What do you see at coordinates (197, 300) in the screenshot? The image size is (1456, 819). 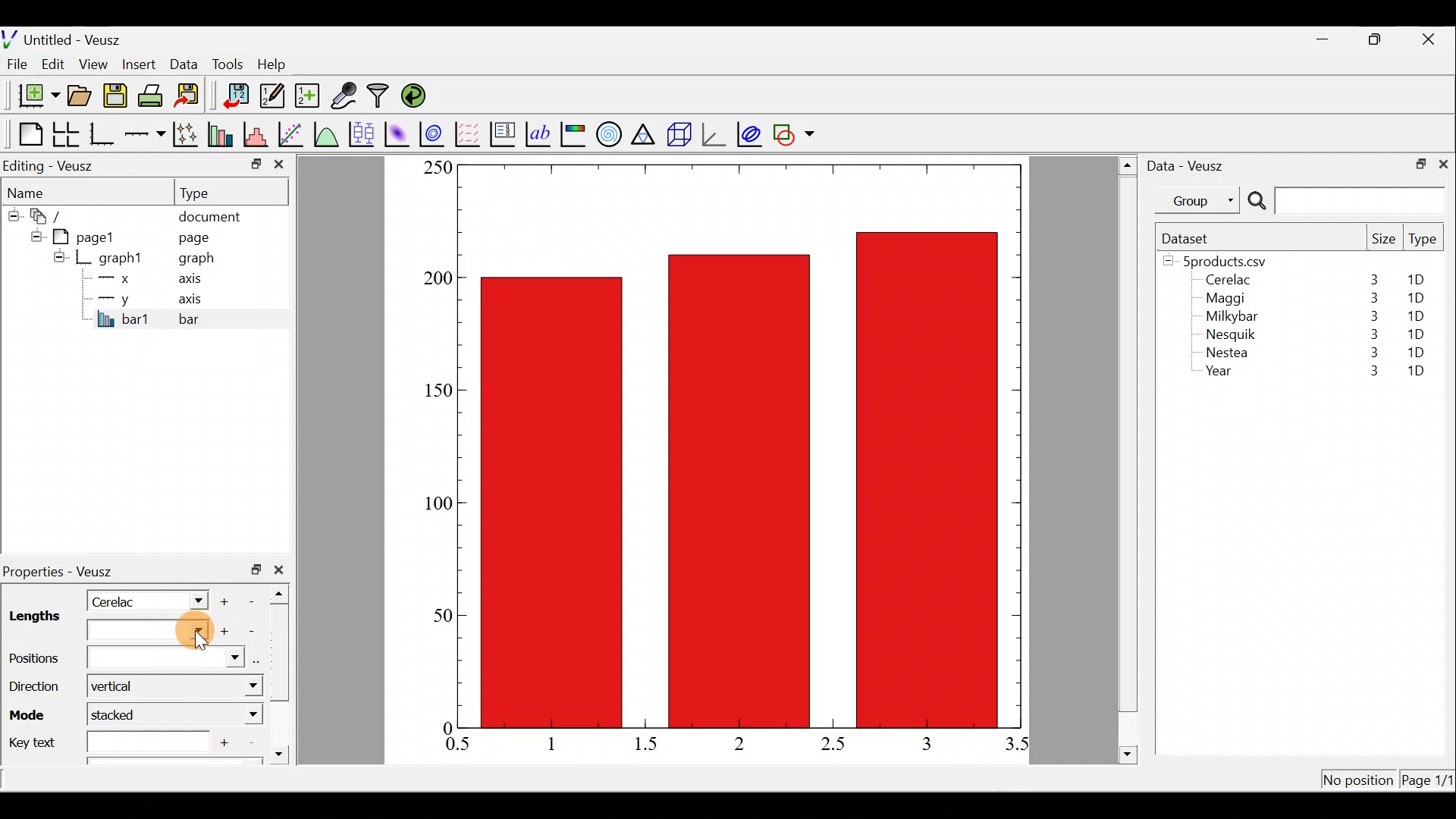 I see `axis` at bounding box center [197, 300].